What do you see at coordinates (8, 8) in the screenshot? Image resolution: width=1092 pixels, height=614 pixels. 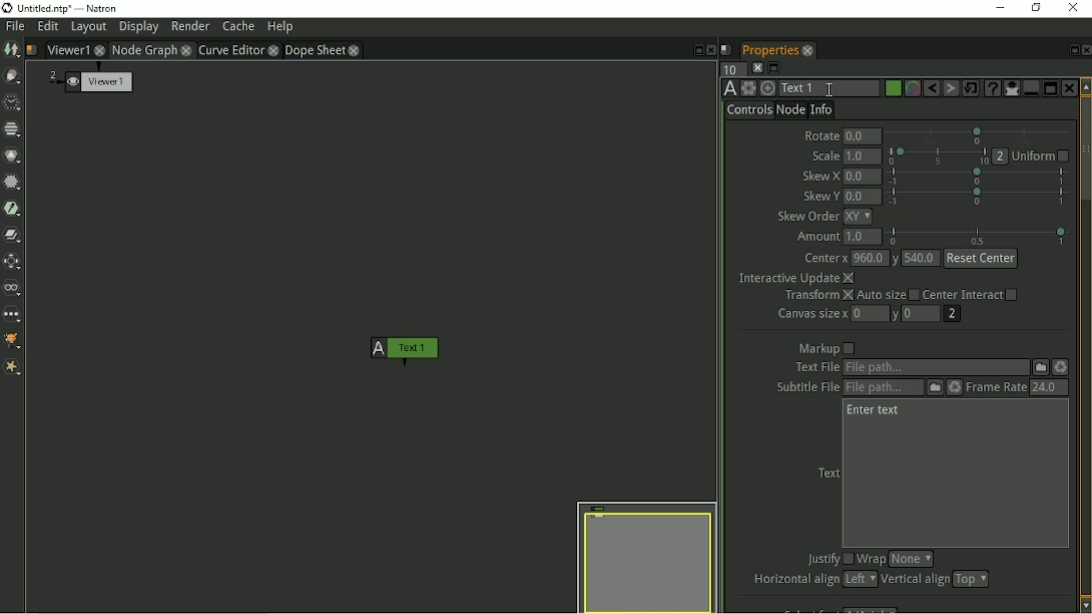 I see `logo` at bounding box center [8, 8].